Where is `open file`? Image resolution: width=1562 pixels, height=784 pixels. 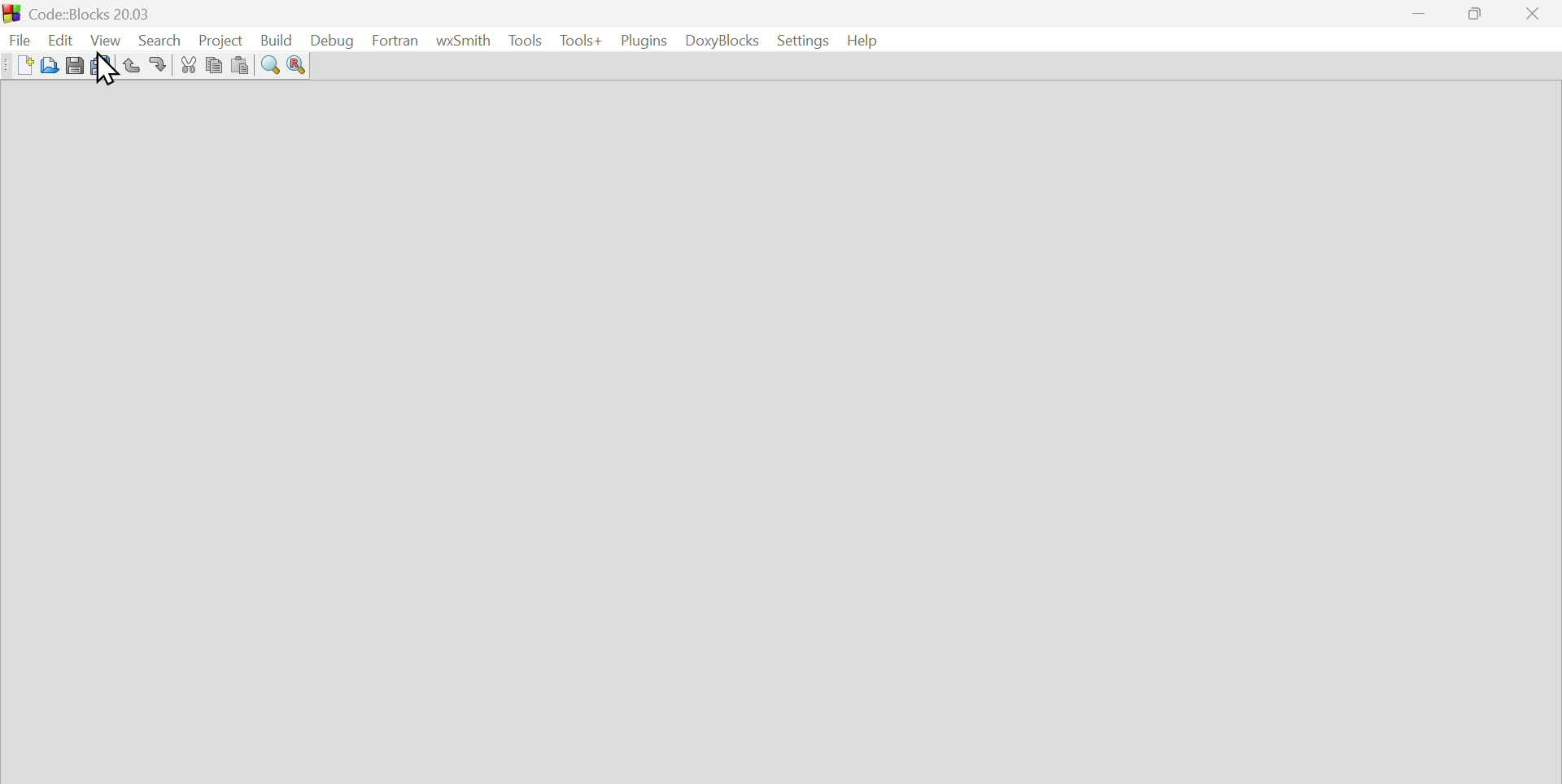 open file is located at coordinates (49, 64).